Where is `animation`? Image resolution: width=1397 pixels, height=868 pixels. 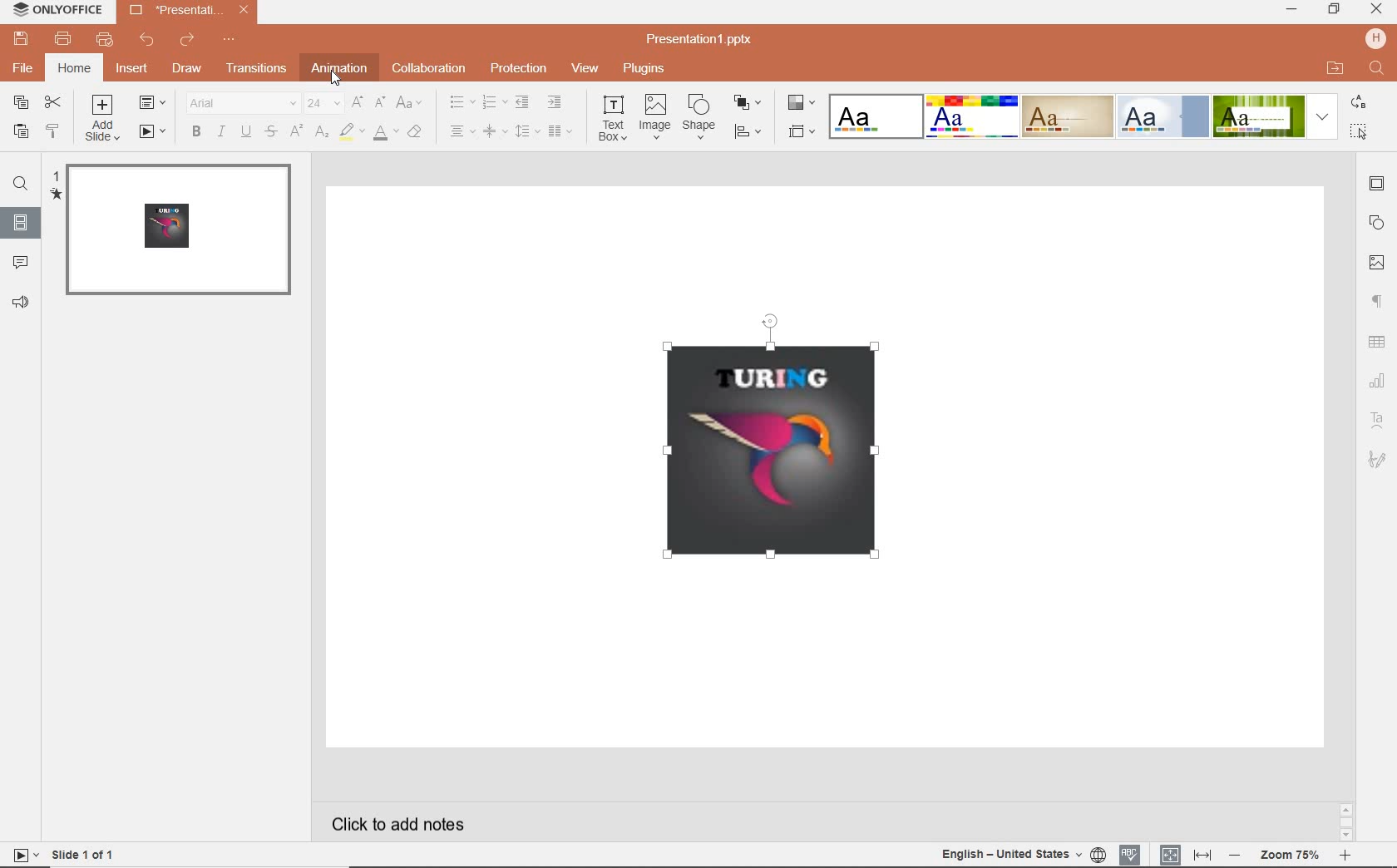
animation is located at coordinates (339, 70).